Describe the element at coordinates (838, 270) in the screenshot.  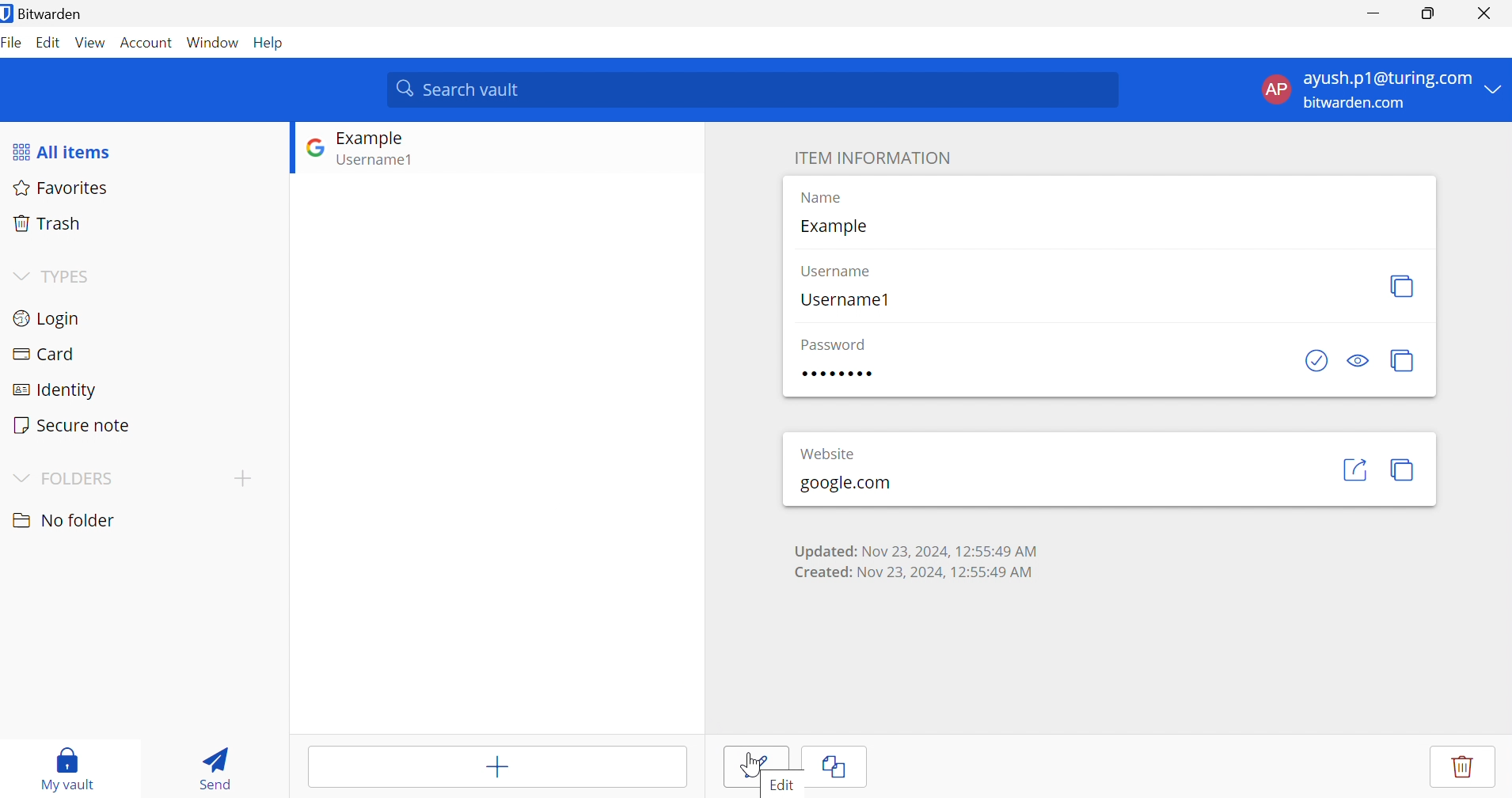
I see `Username` at that location.